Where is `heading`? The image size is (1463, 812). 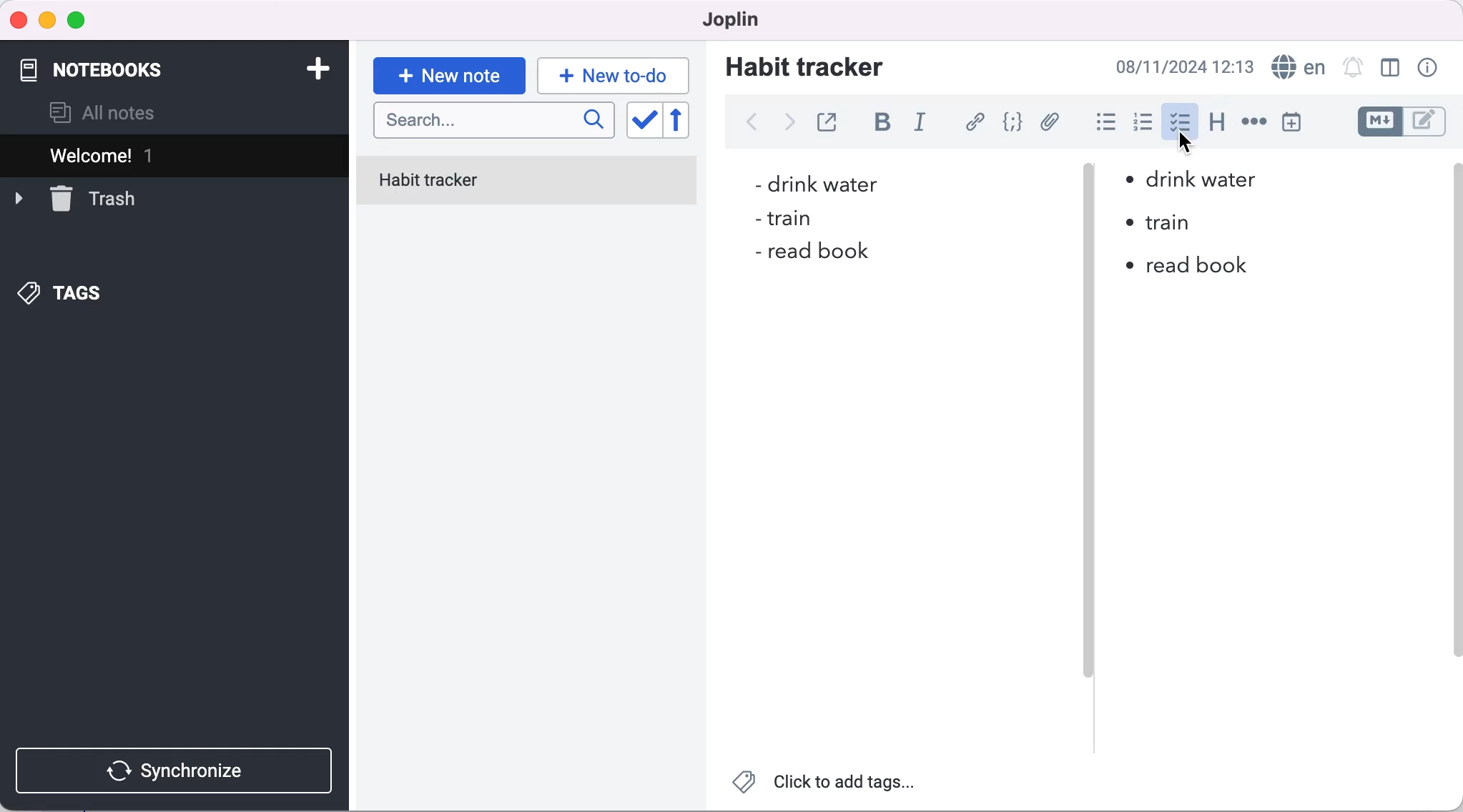 heading is located at coordinates (1218, 123).